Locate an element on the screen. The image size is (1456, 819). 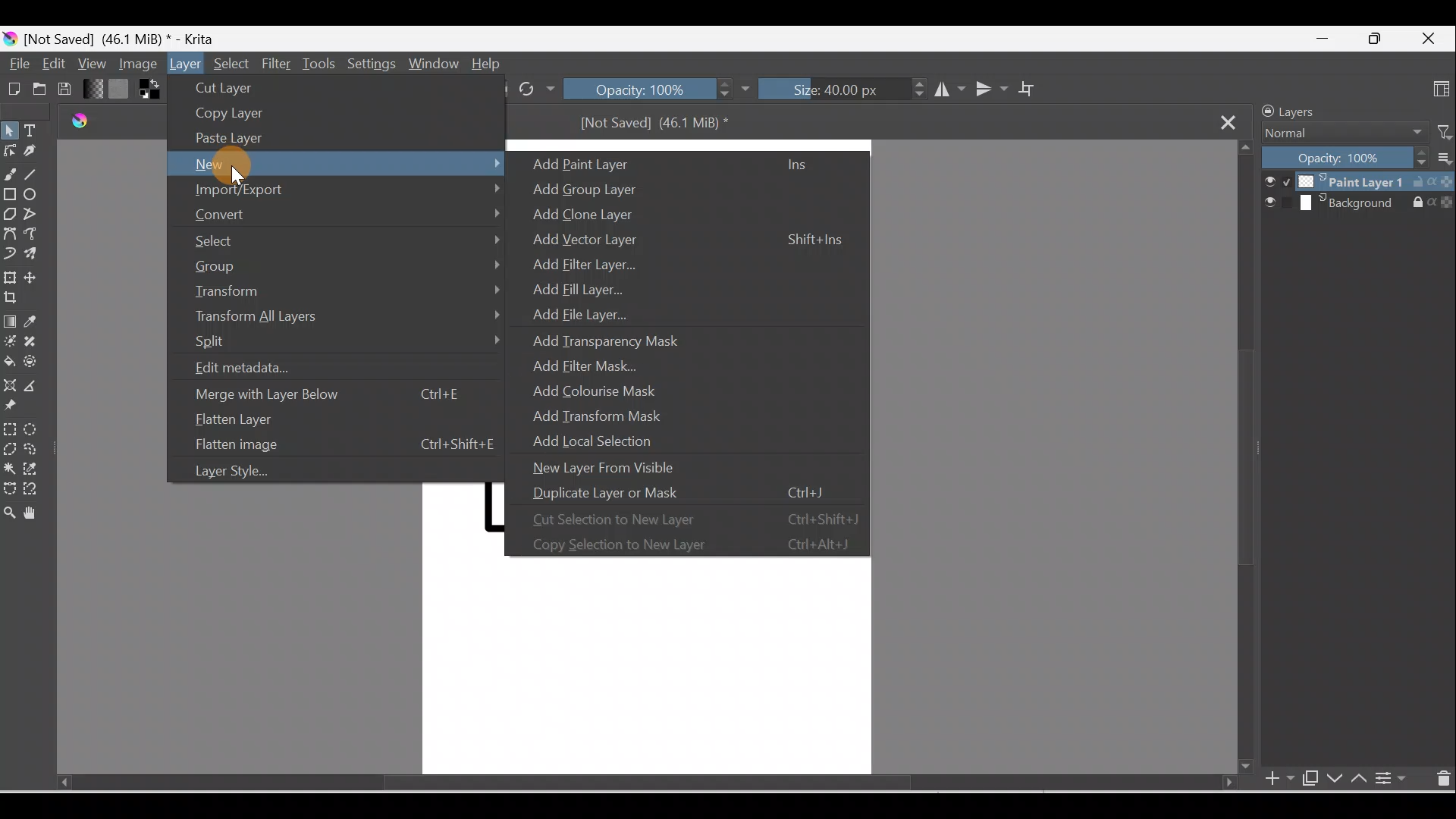
Move layer/mask down is located at coordinates (1335, 780).